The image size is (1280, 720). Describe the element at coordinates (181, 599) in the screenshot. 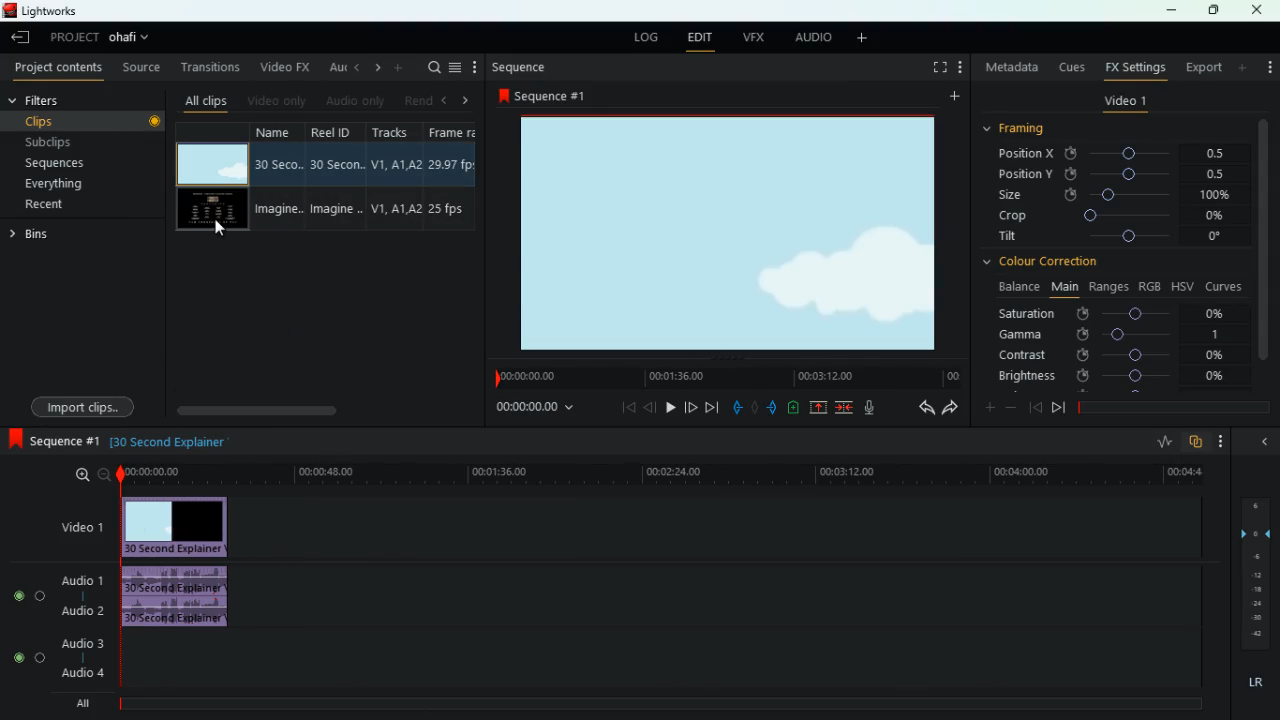

I see `audio` at that location.